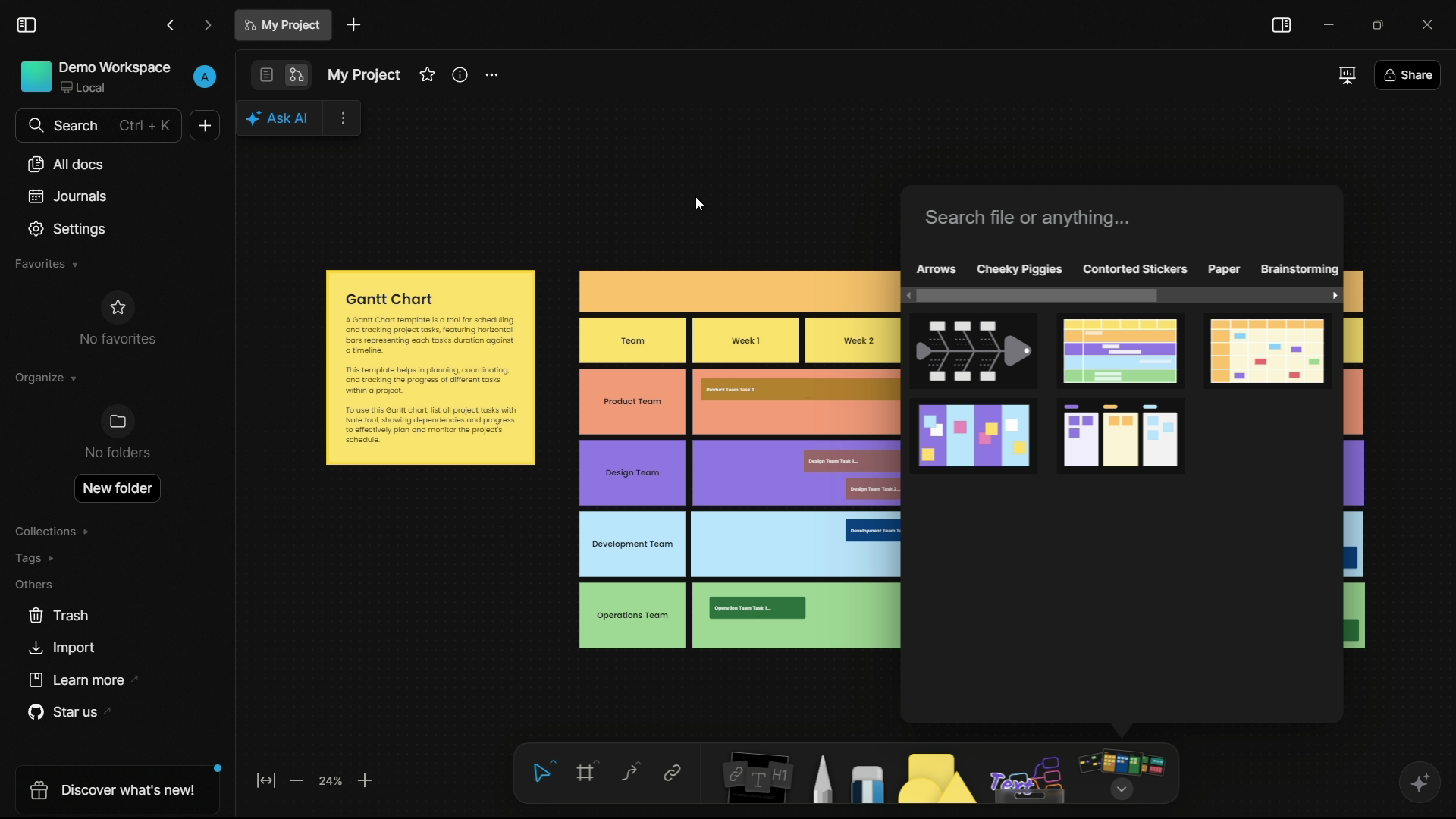  Describe the element at coordinates (299, 783) in the screenshot. I see `zoom out` at that location.